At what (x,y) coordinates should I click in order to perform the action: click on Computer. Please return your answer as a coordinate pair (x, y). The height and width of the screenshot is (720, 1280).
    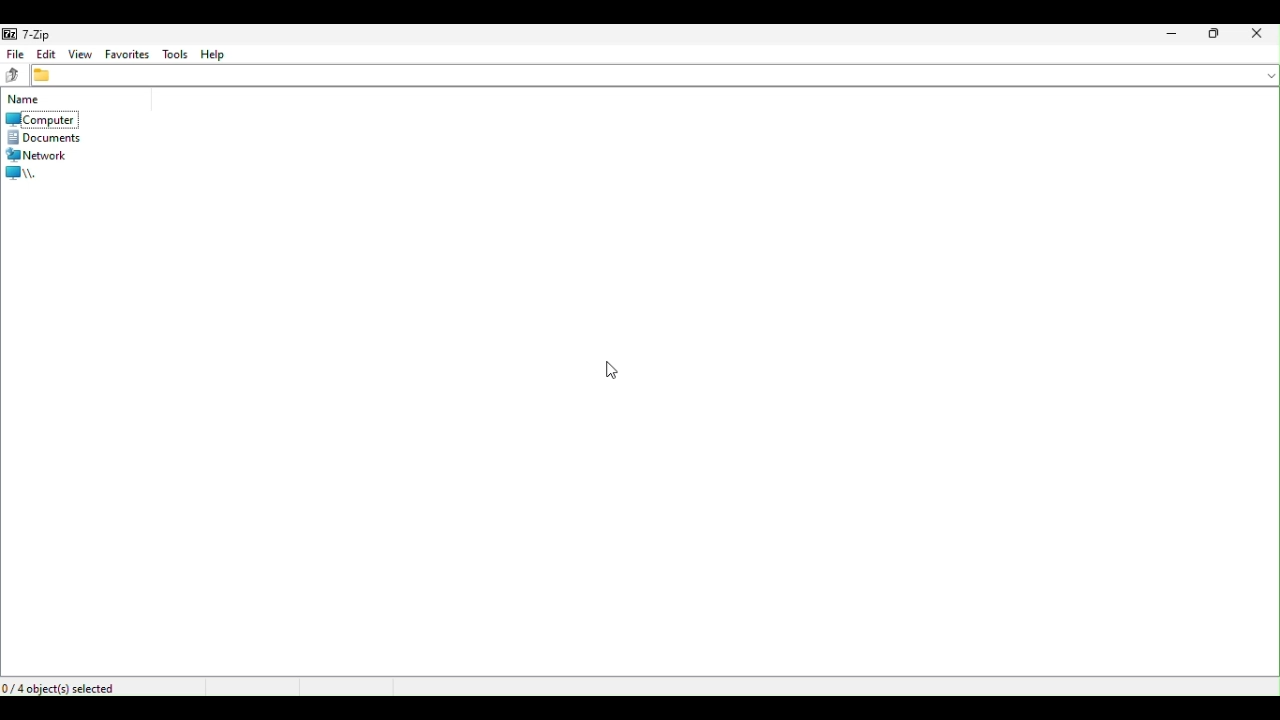
    Looking at the image, I should click on (45, 111).